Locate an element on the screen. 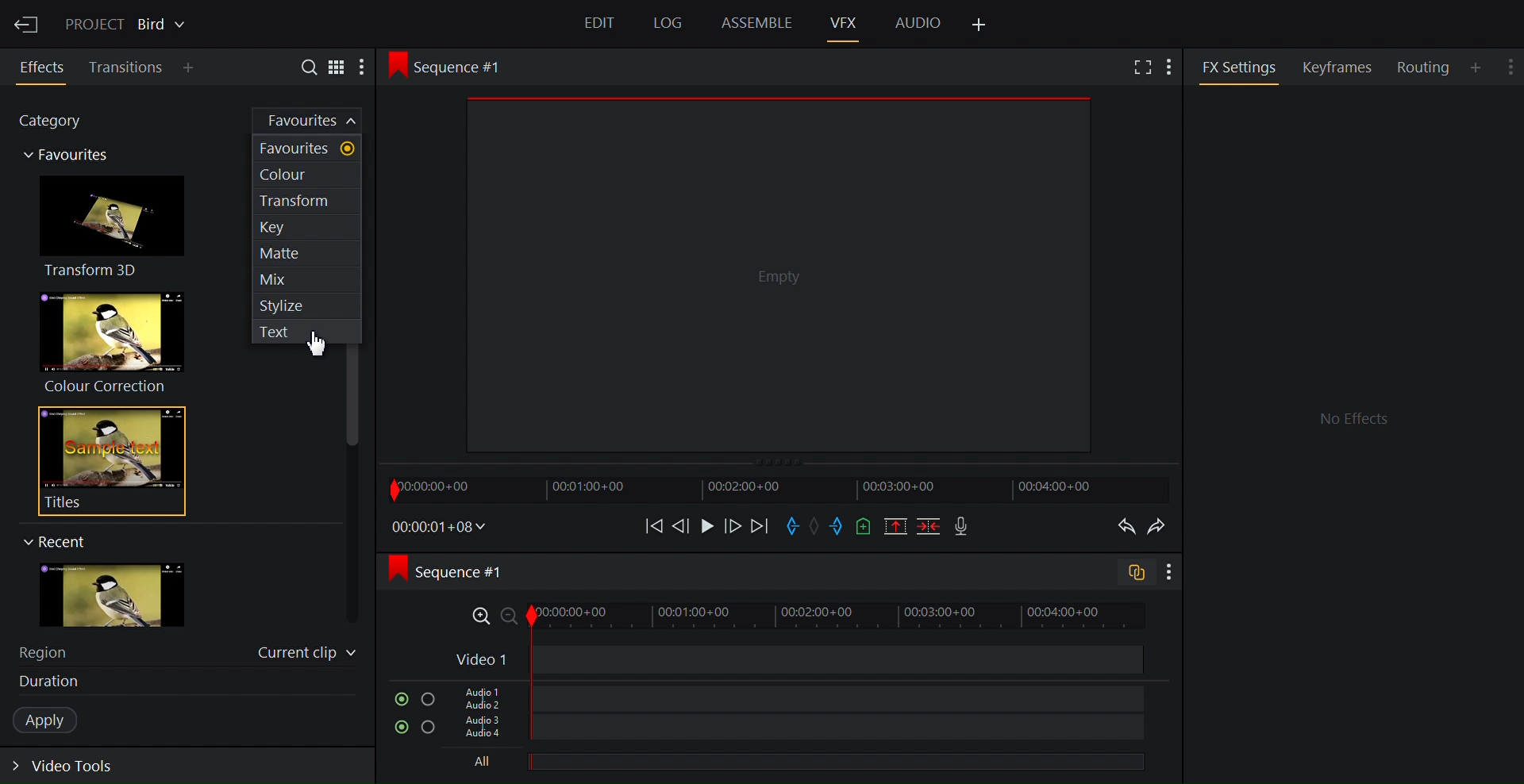 The height and width of the screenshot is (784, 1524). Solo this track is located at coordinates (431, 698).